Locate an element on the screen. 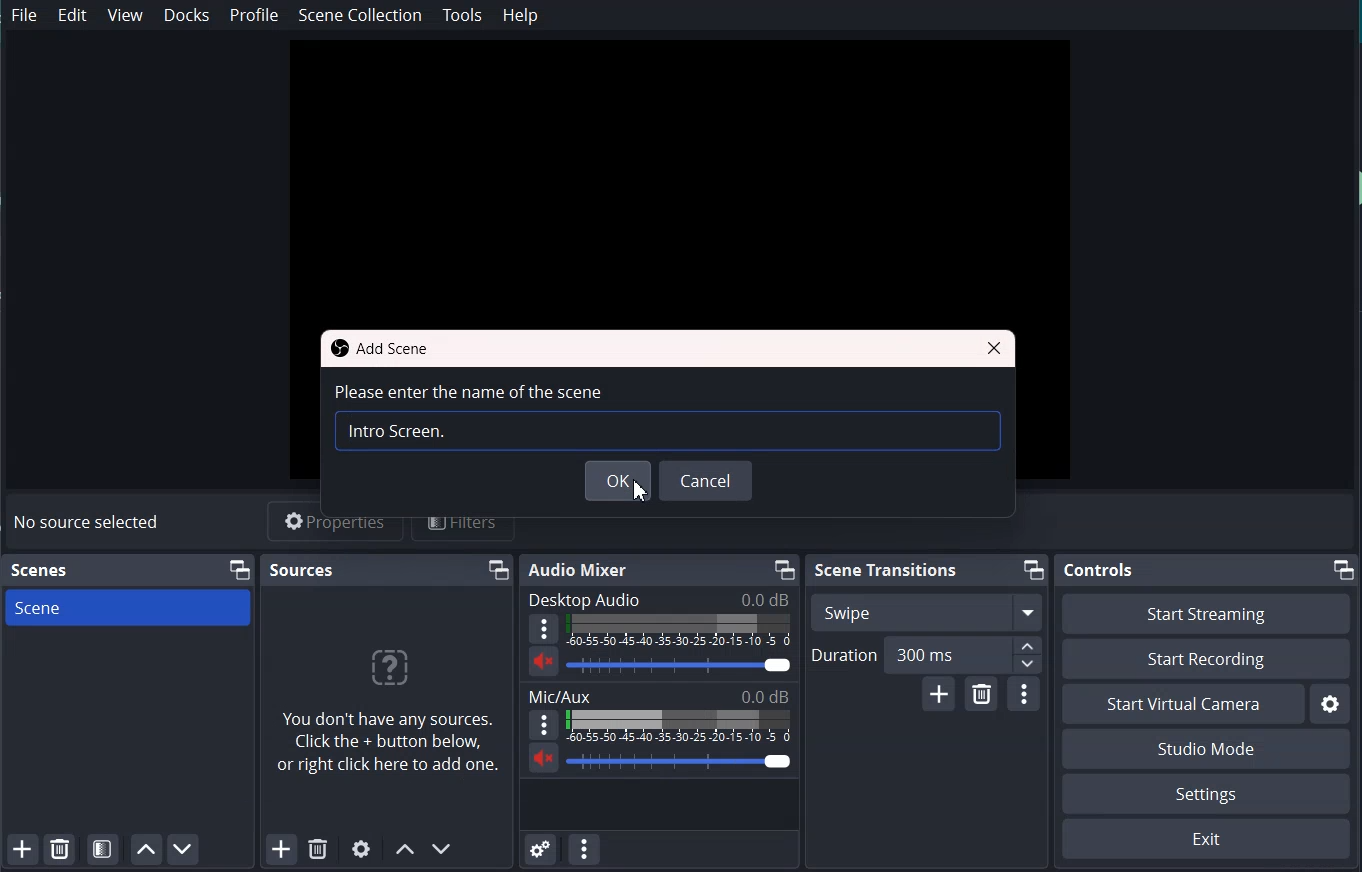 The image size is (1362, 872). ? is located at coordinates (387, 672).